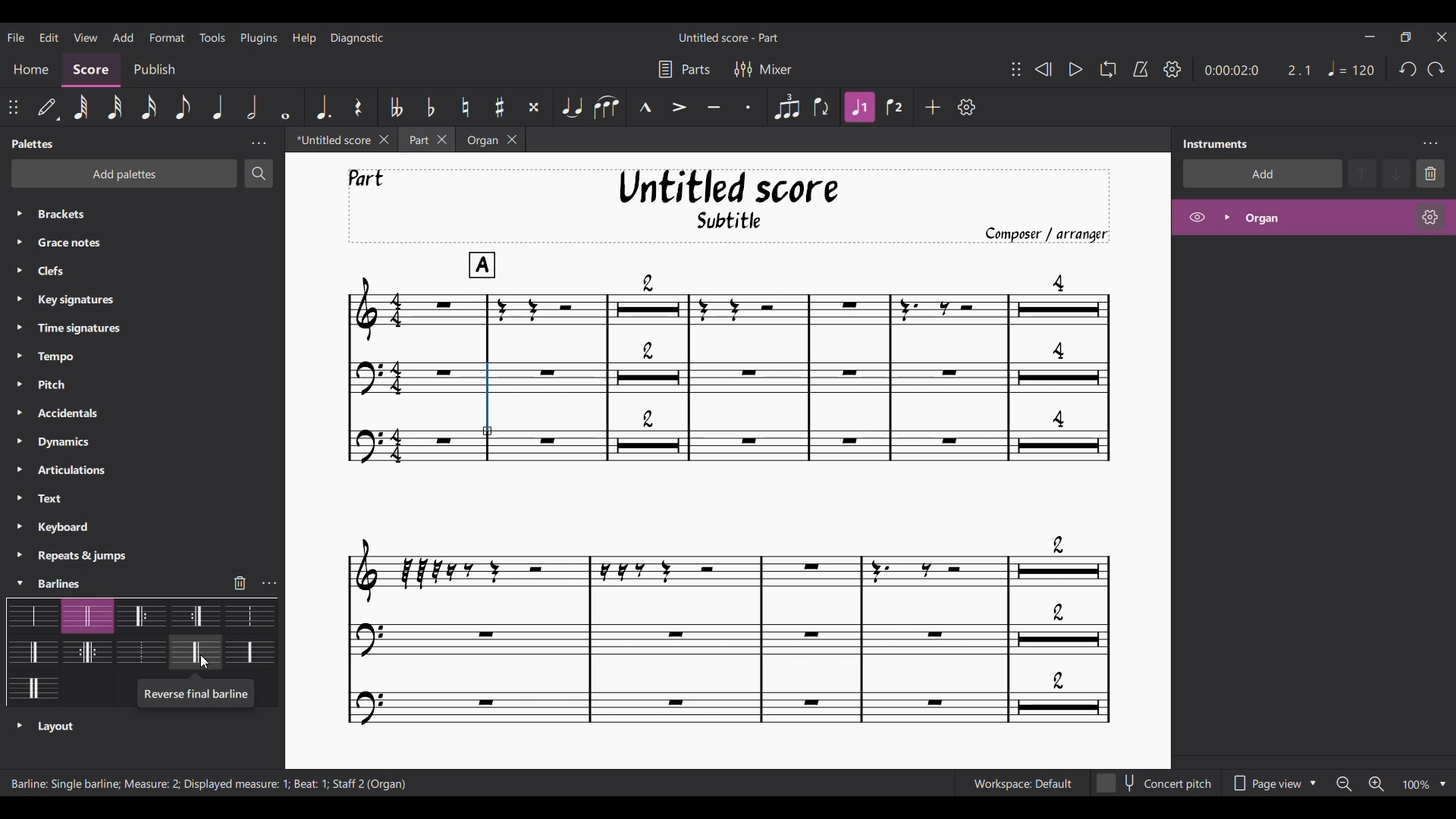 Image resolution: width=1456 pixels, height=819 pixels. What do you see at coordinates (48, 108) in the screenshot?
I see `Default` at bounding box center [48, 108].